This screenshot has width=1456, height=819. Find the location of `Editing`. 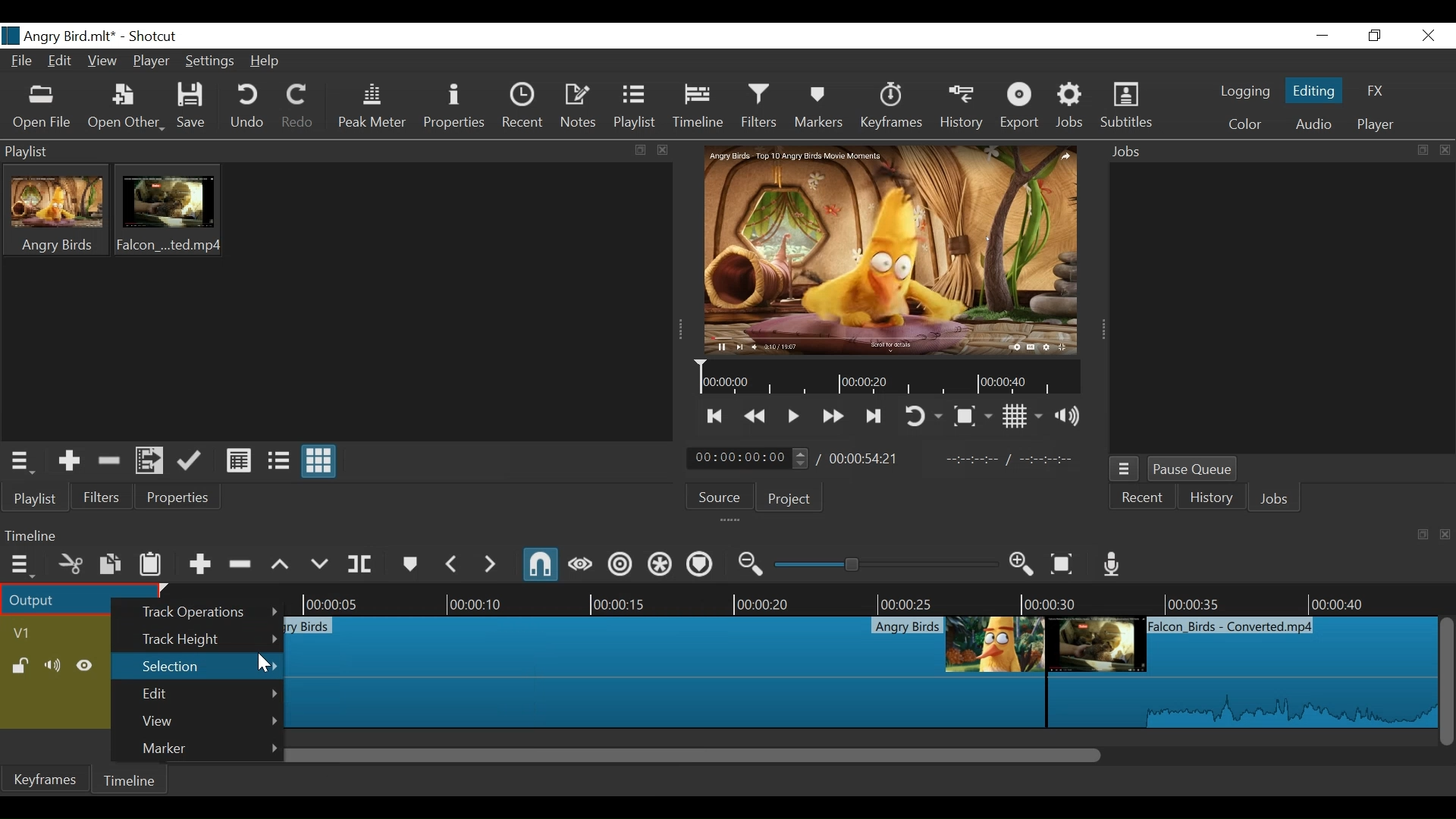

Editing is located at coordinates (1314, 90).